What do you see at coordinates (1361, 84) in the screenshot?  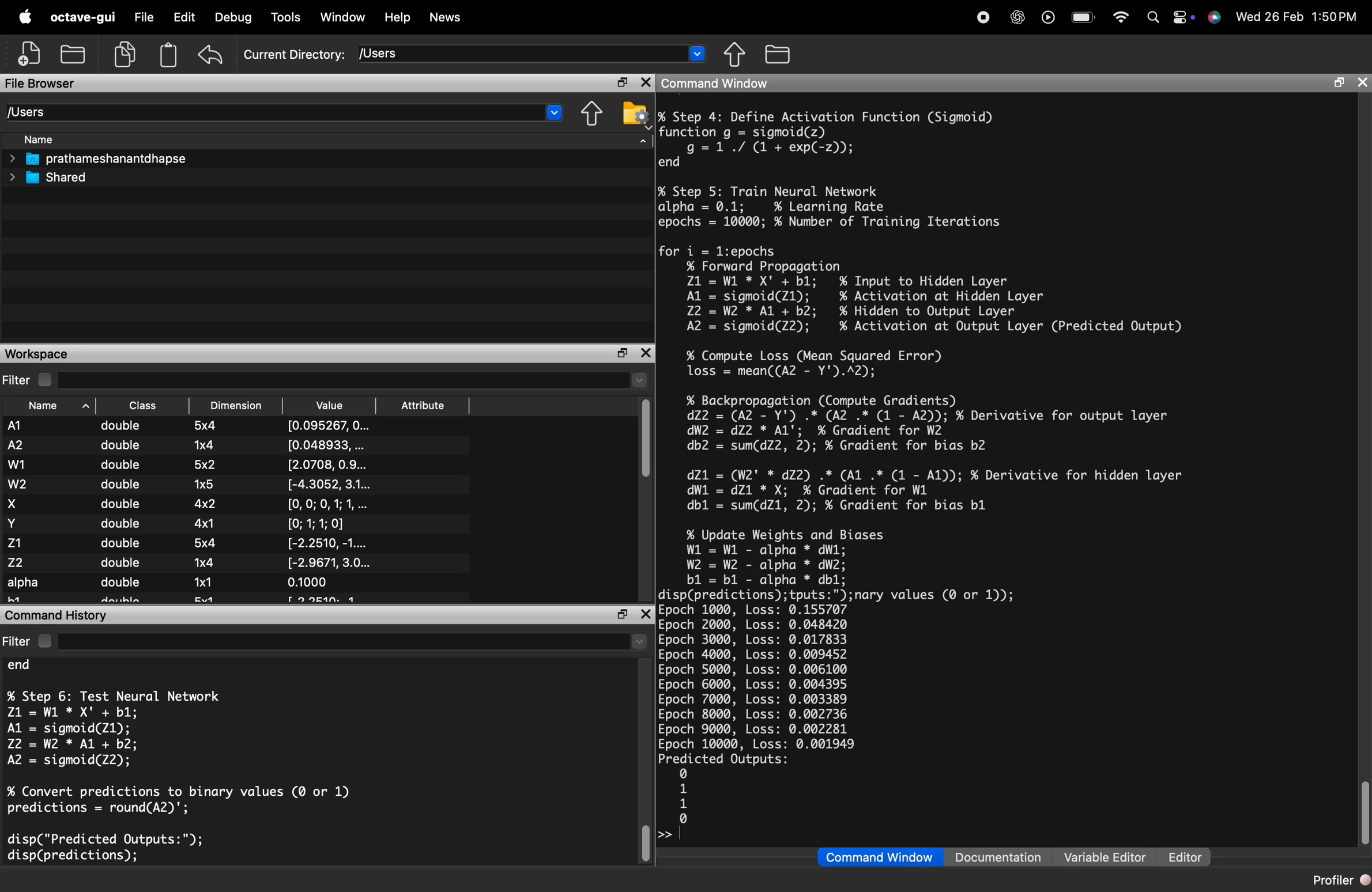 I see `close` at bounding box center [1361, 84].